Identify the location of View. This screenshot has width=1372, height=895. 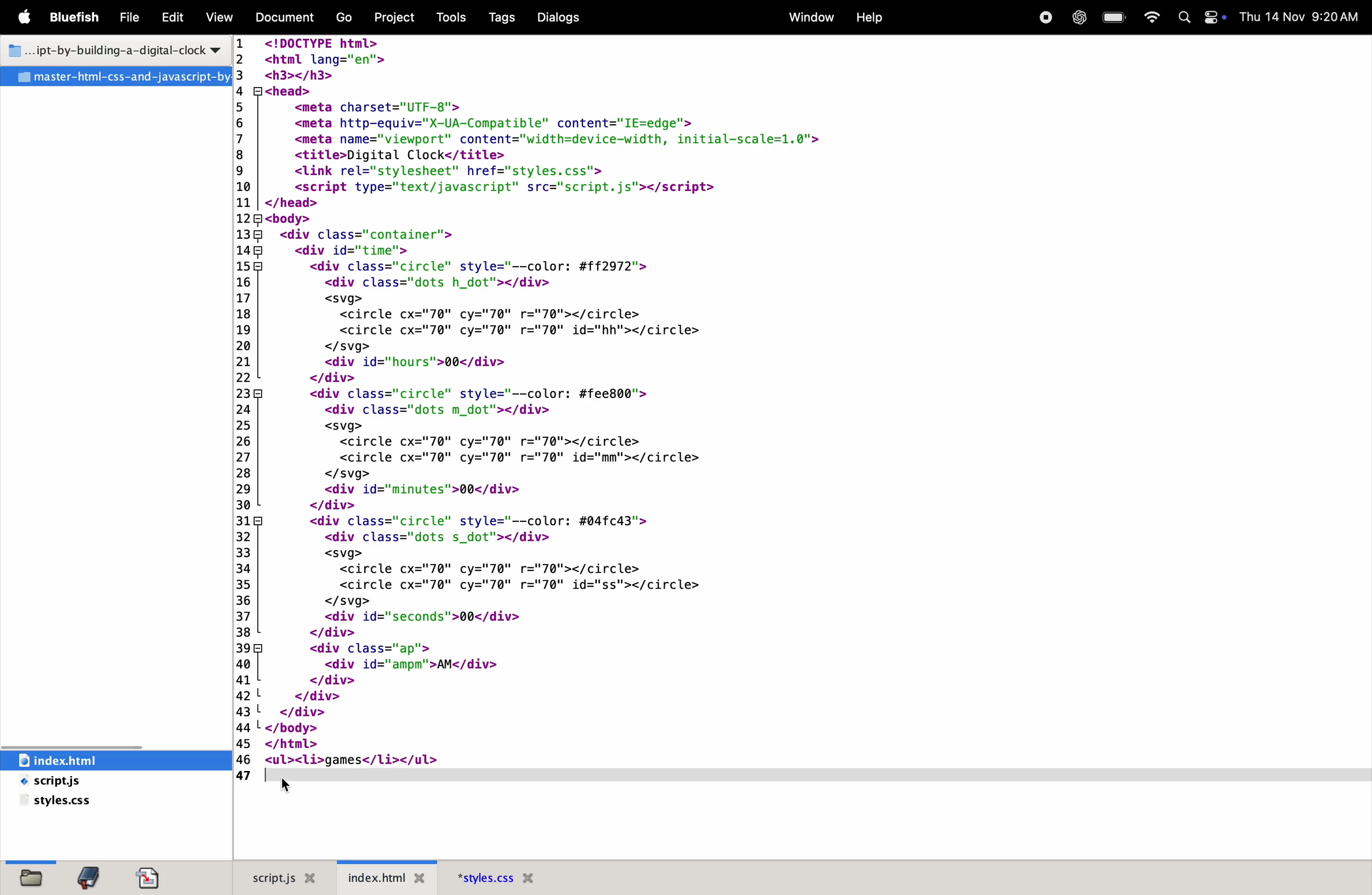
(220, 17).